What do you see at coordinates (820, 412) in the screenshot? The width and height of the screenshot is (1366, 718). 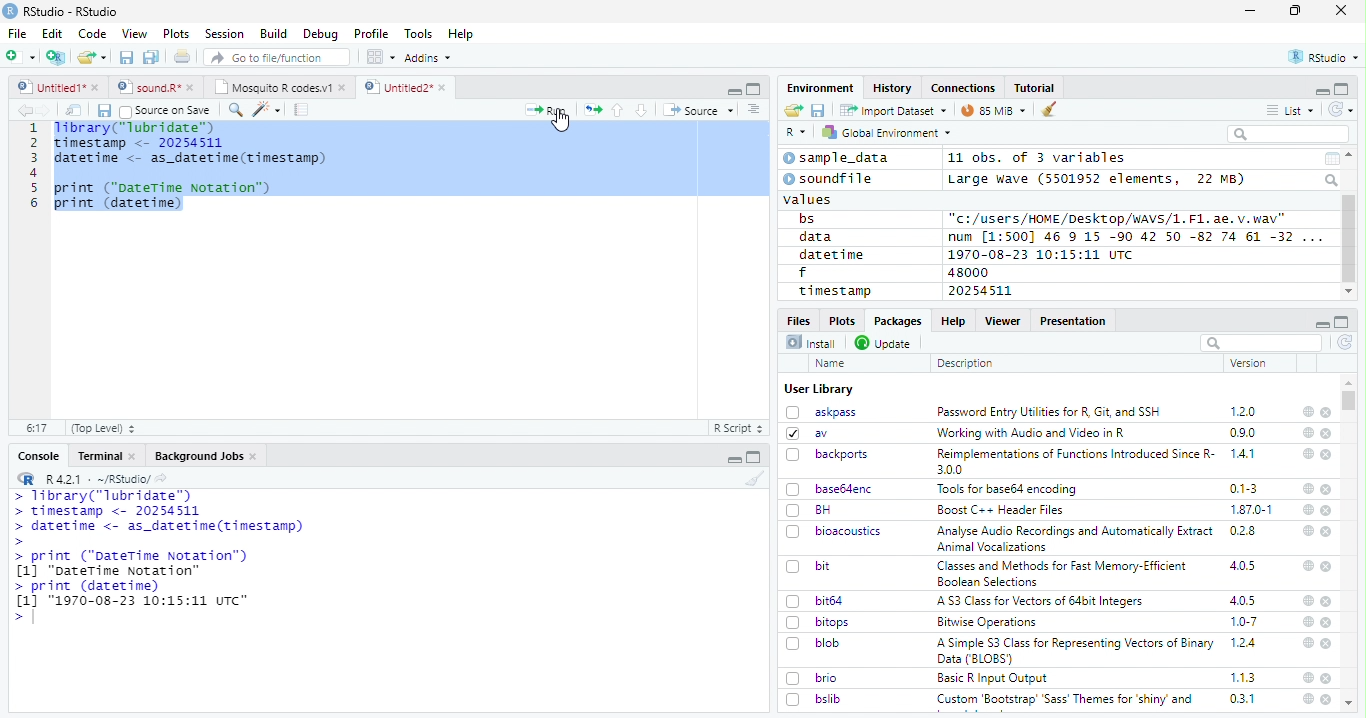 I see `askpass` at bounding box center [820, 412].